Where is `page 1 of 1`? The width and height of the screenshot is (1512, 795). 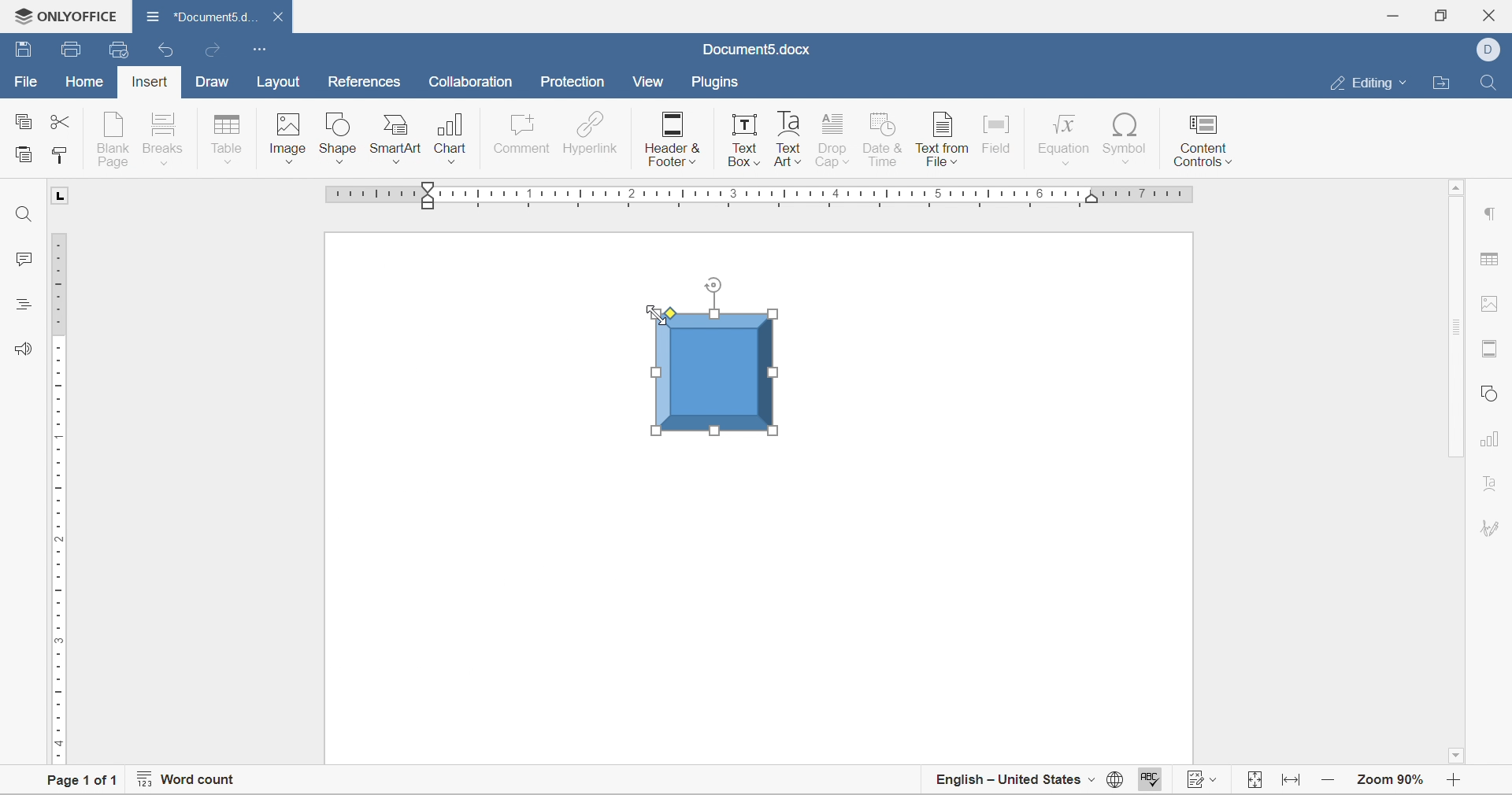 page 1 of 1 is located at coordinates (78, 782).